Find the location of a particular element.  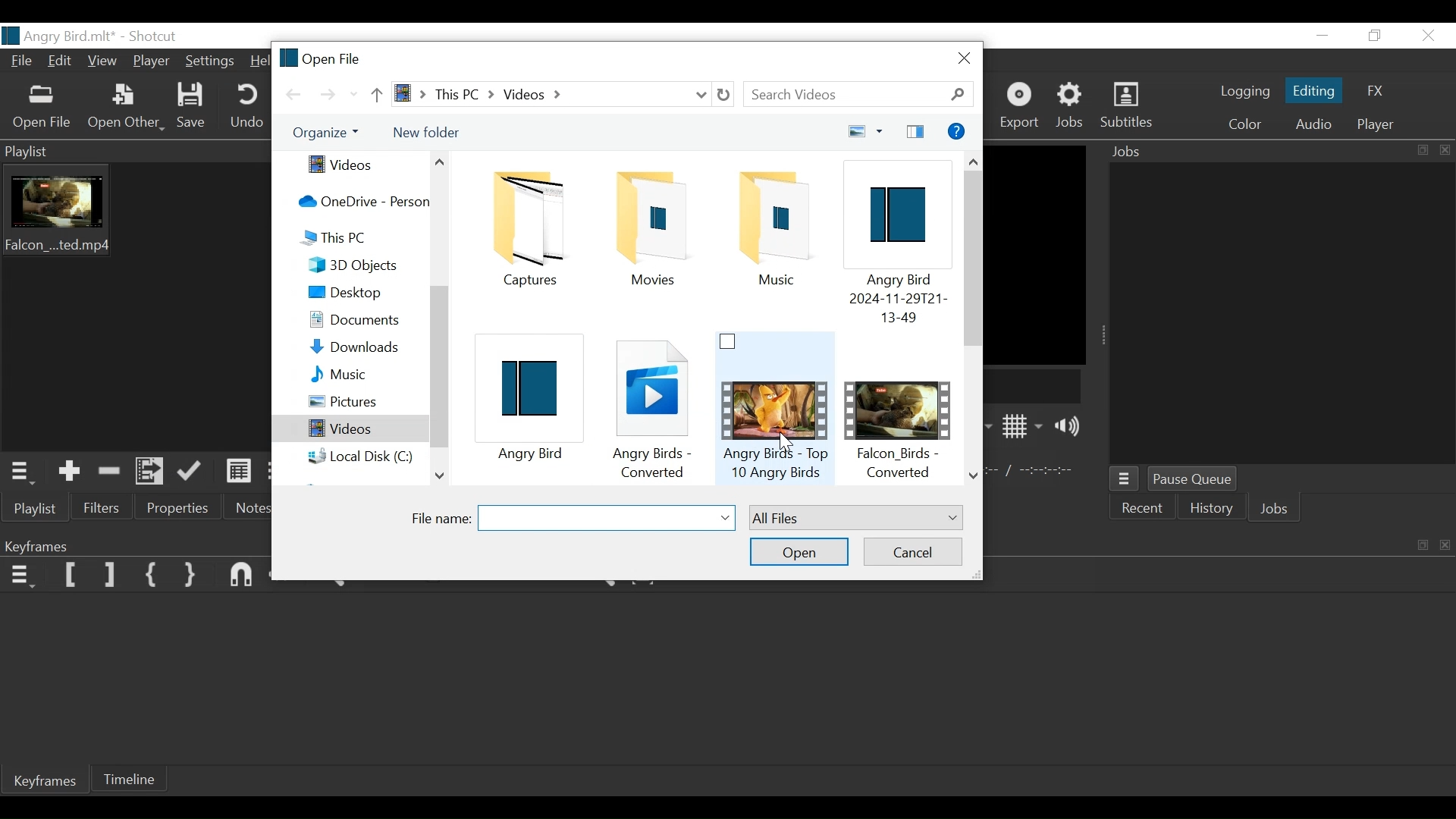

This PC is located at coordinates (359, 237).